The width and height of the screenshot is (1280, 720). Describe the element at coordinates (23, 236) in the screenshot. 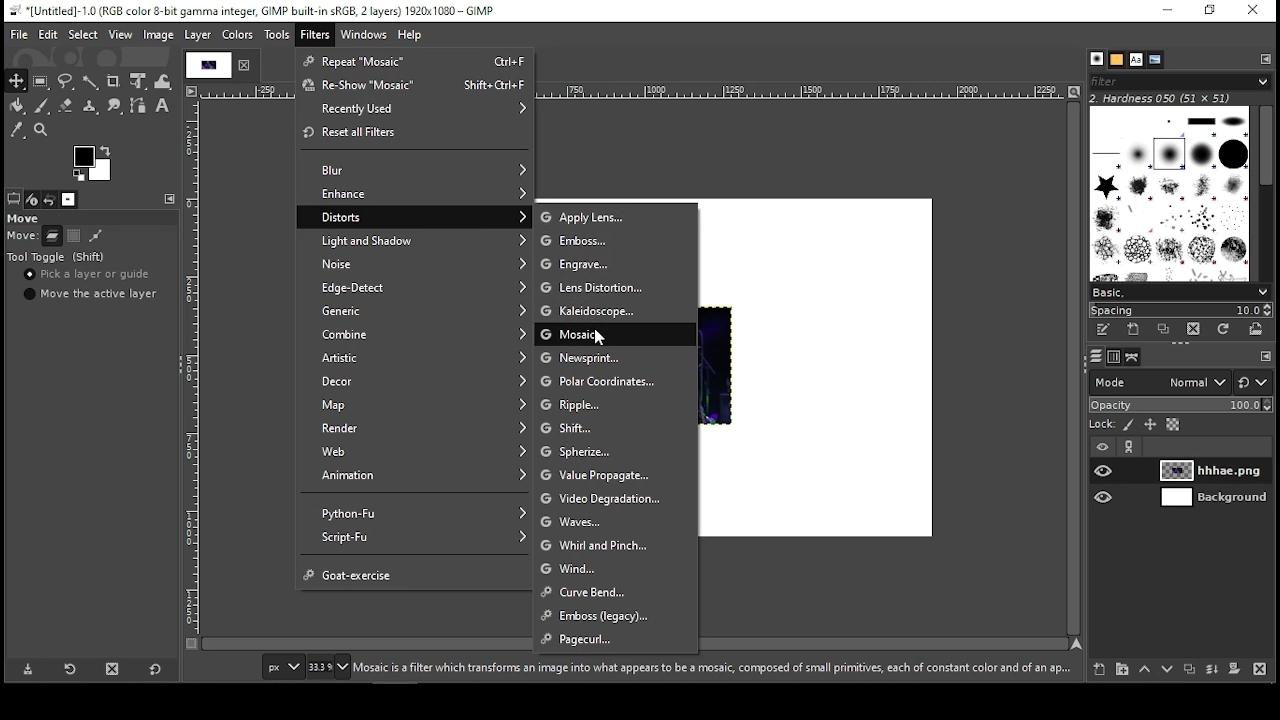

I see `move` at that location.